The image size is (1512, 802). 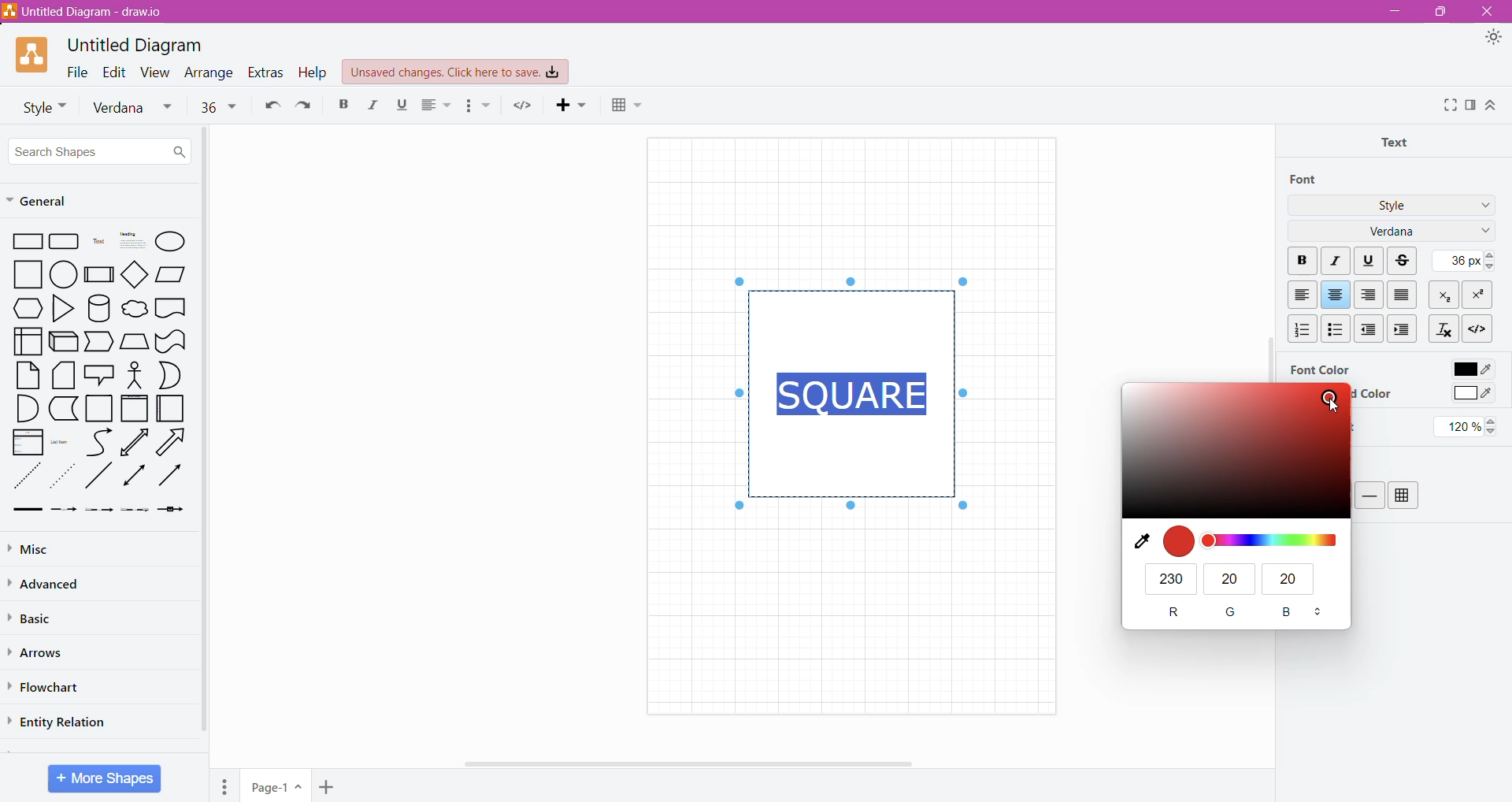 I want to click on Table, so click(x=633, y=106).